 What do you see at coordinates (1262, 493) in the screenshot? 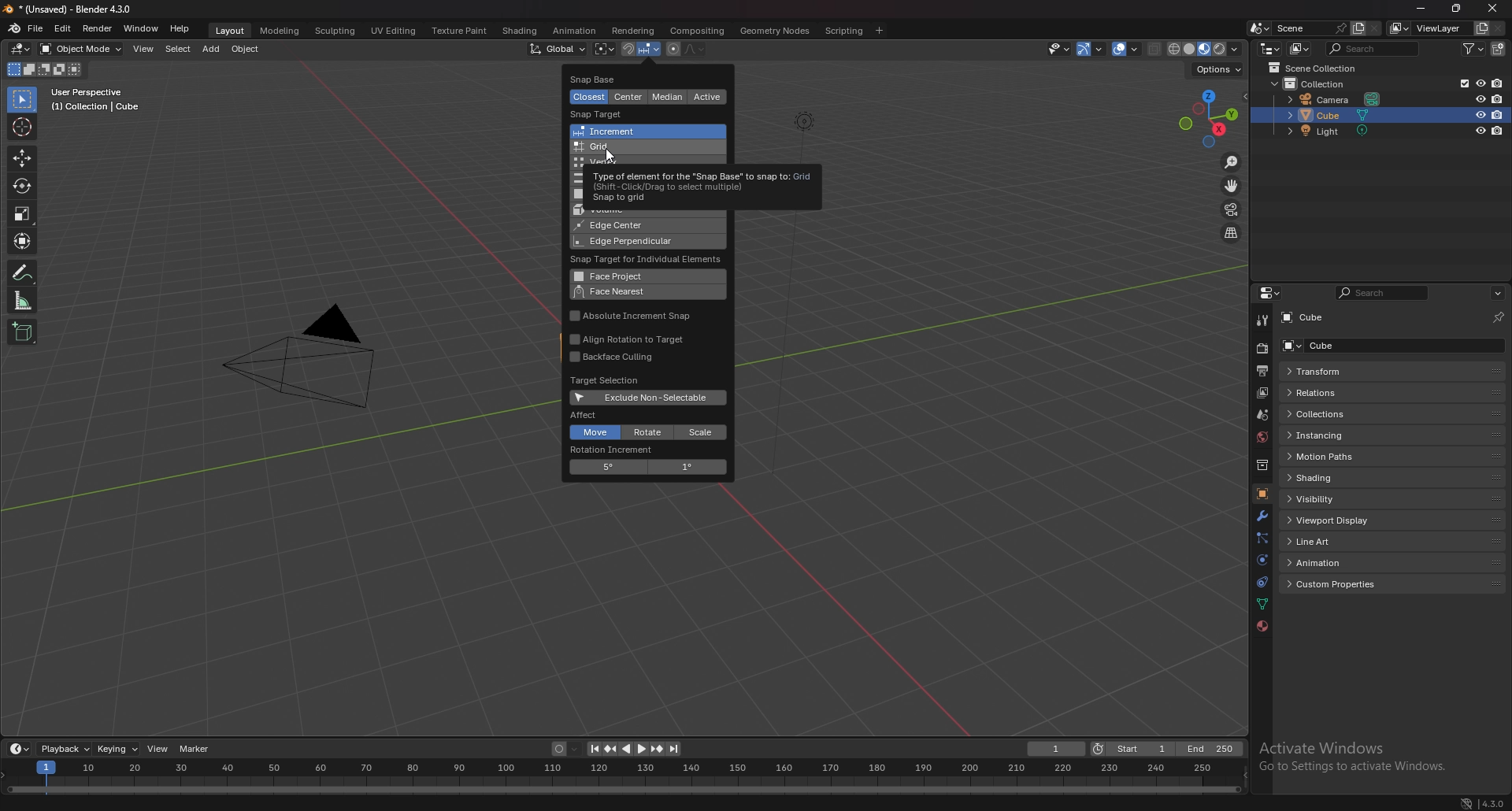
I see `object` at bounding box center [1262, 493].